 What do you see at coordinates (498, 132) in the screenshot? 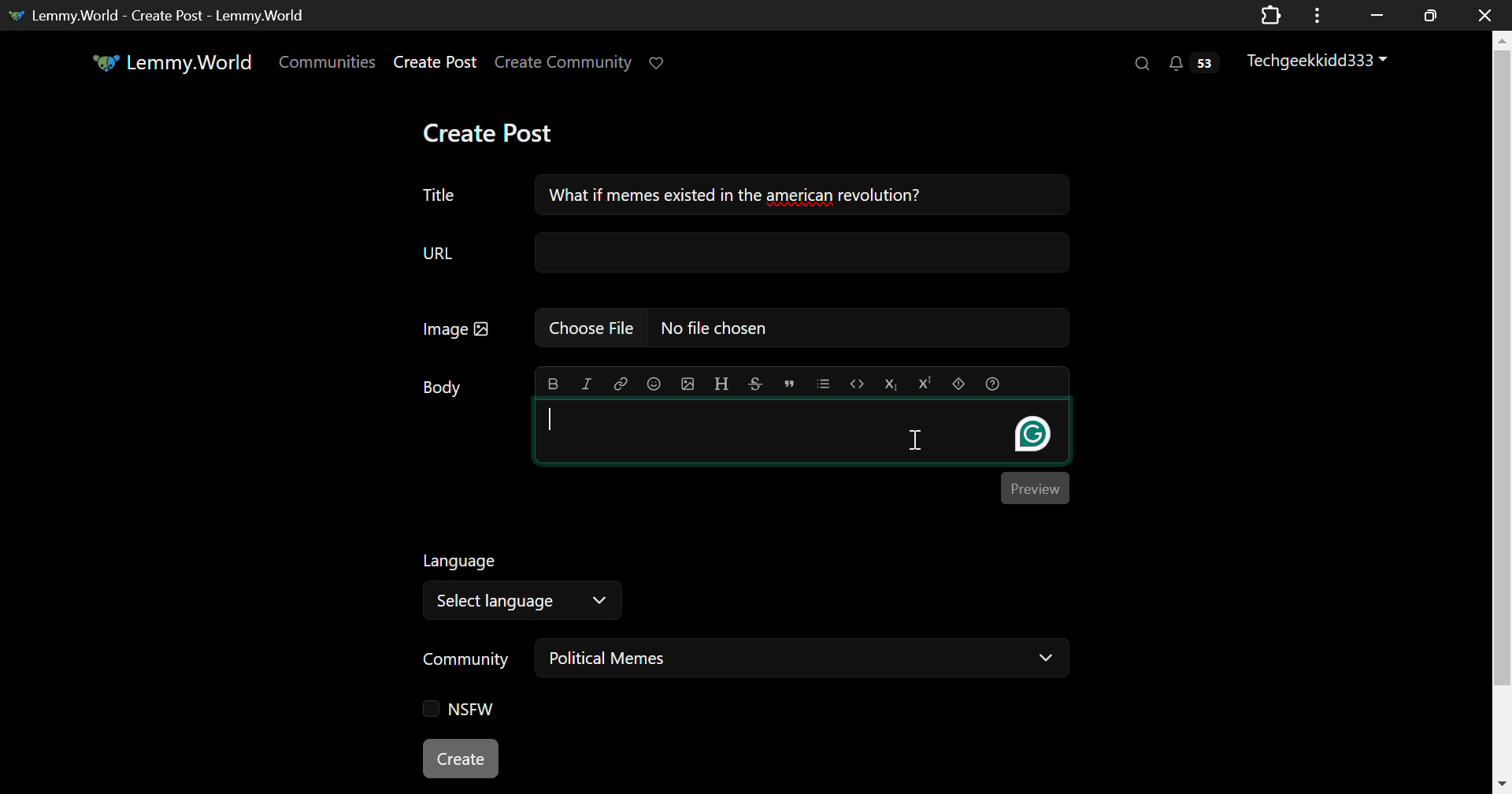
I see `Create Post` at bounding box center [498, 132].